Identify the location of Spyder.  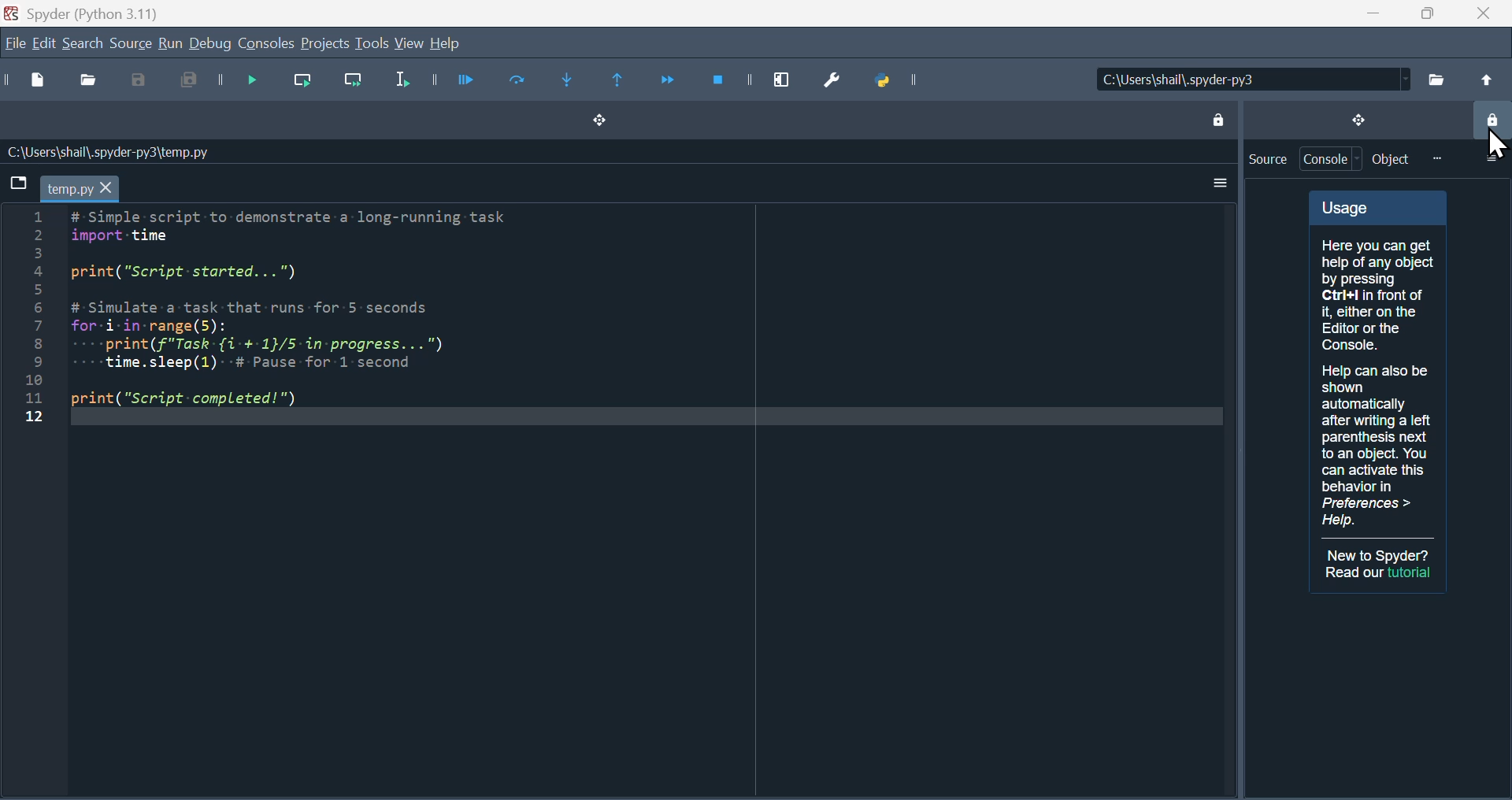
(95, 12).